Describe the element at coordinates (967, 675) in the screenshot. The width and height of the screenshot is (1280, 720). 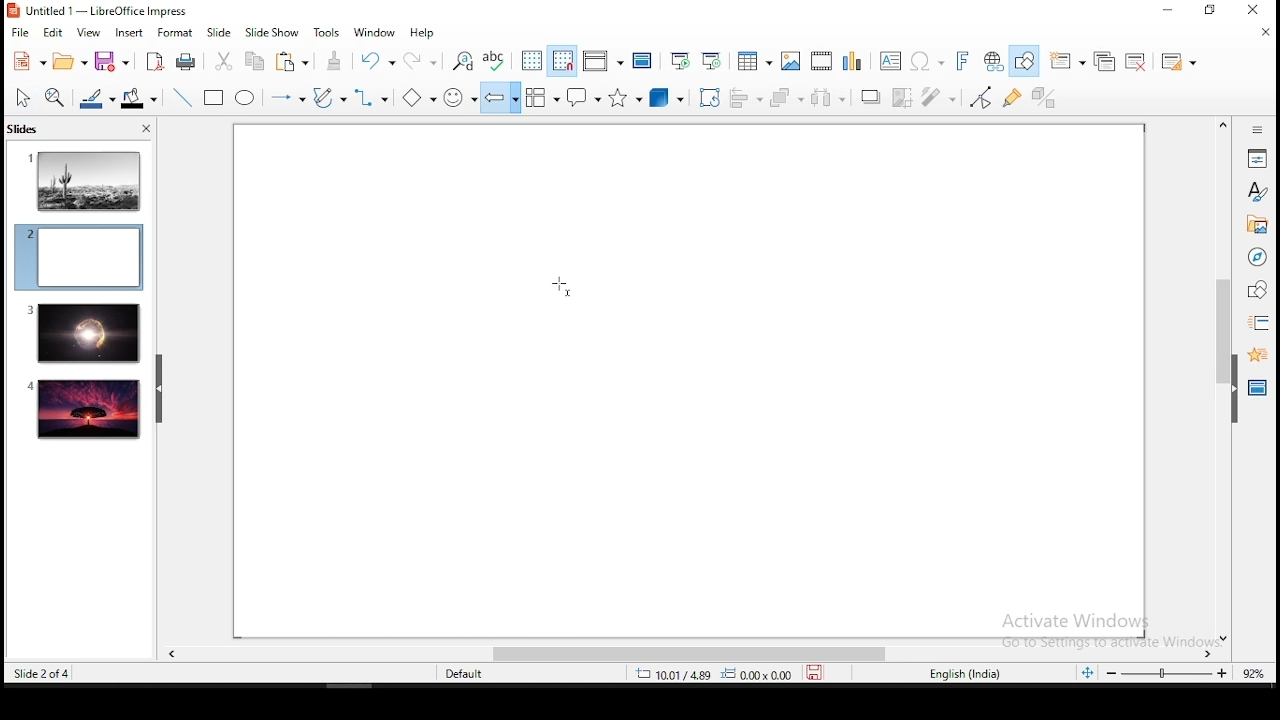
I see `english (india)` at that location.